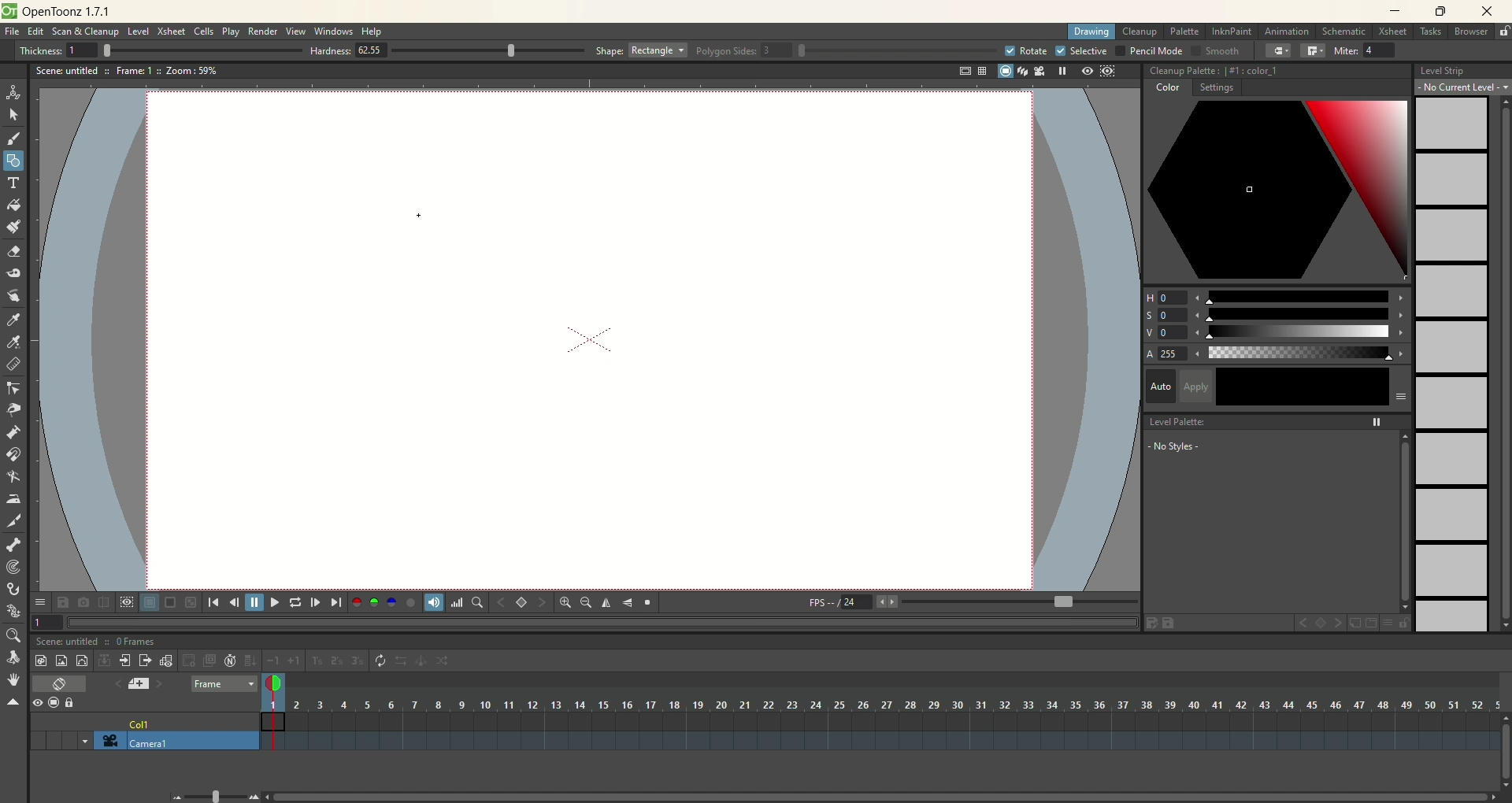 The width and height of the screenshot is (1512, 803). I want to click on pause, so click(254, 602).